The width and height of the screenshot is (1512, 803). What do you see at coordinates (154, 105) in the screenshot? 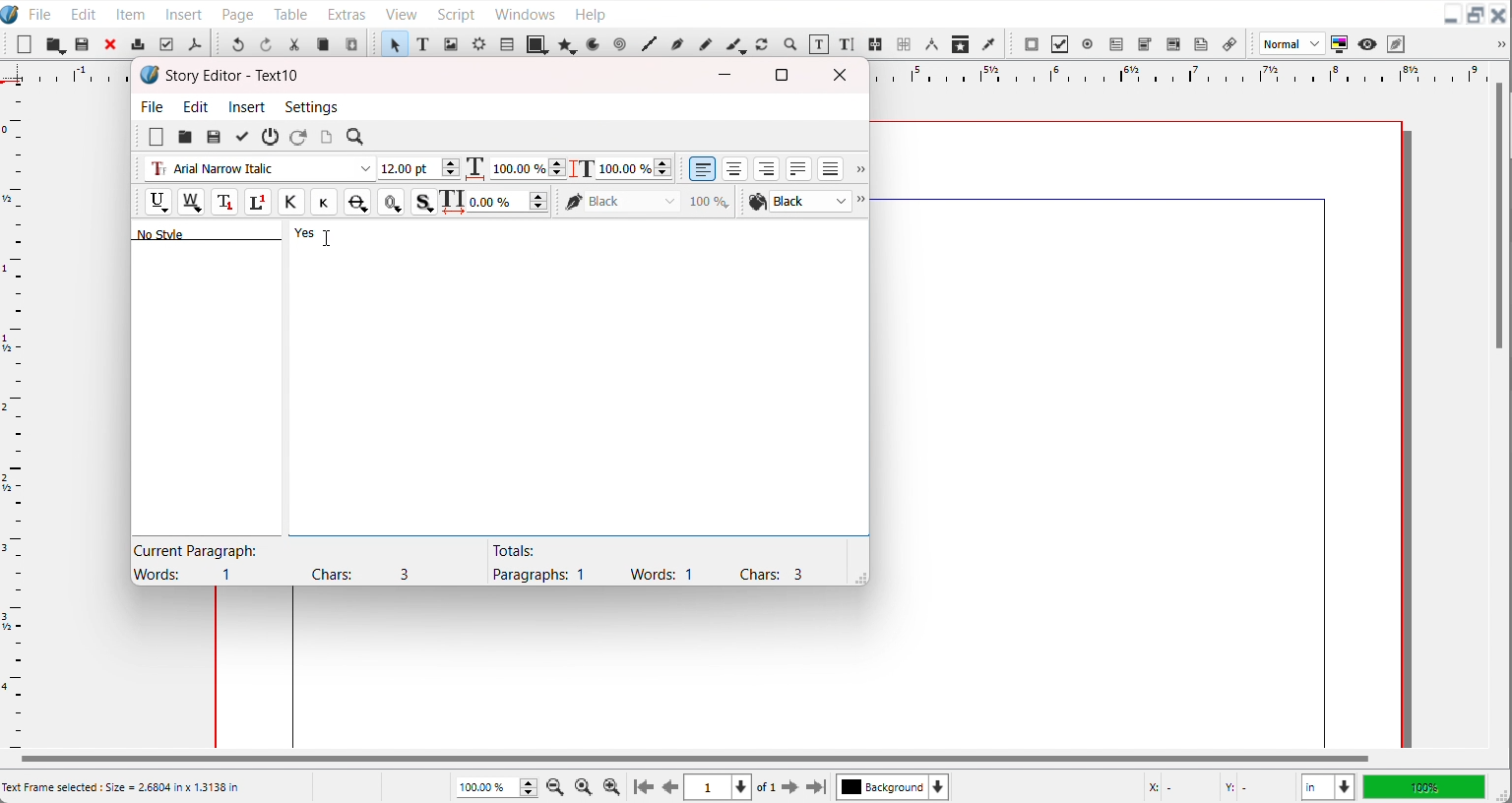
I see `File` at bounding box center [154, 105].